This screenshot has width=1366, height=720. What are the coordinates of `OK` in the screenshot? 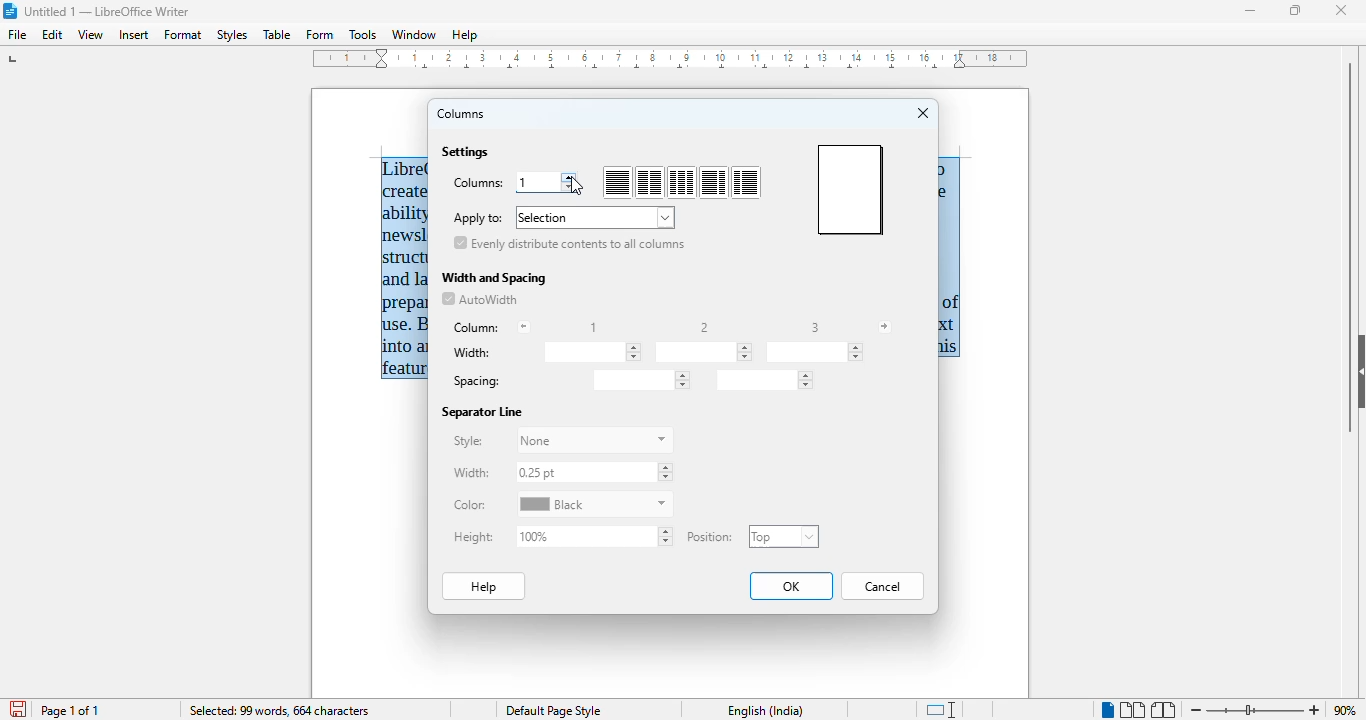 It's located at (791, 586).